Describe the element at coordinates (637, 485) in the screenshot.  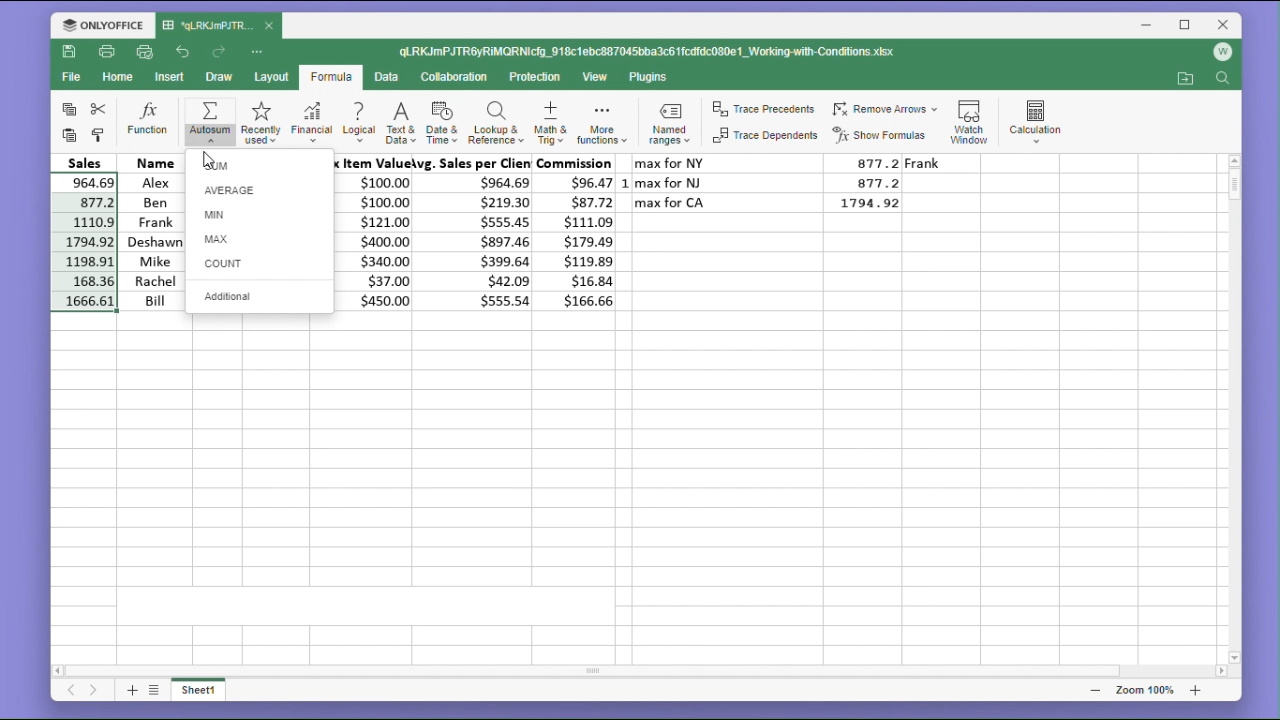
I see `empty cells` at that location.